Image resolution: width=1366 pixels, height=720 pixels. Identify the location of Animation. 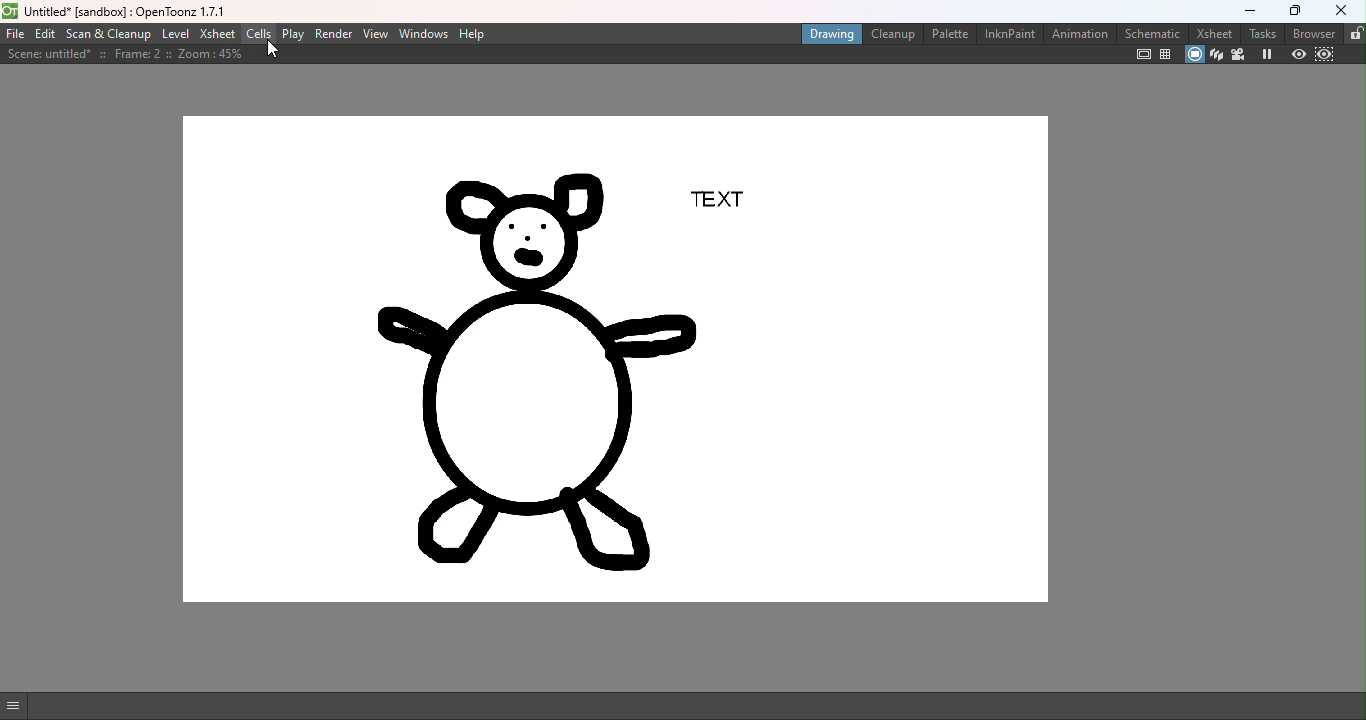
(1079, 35).